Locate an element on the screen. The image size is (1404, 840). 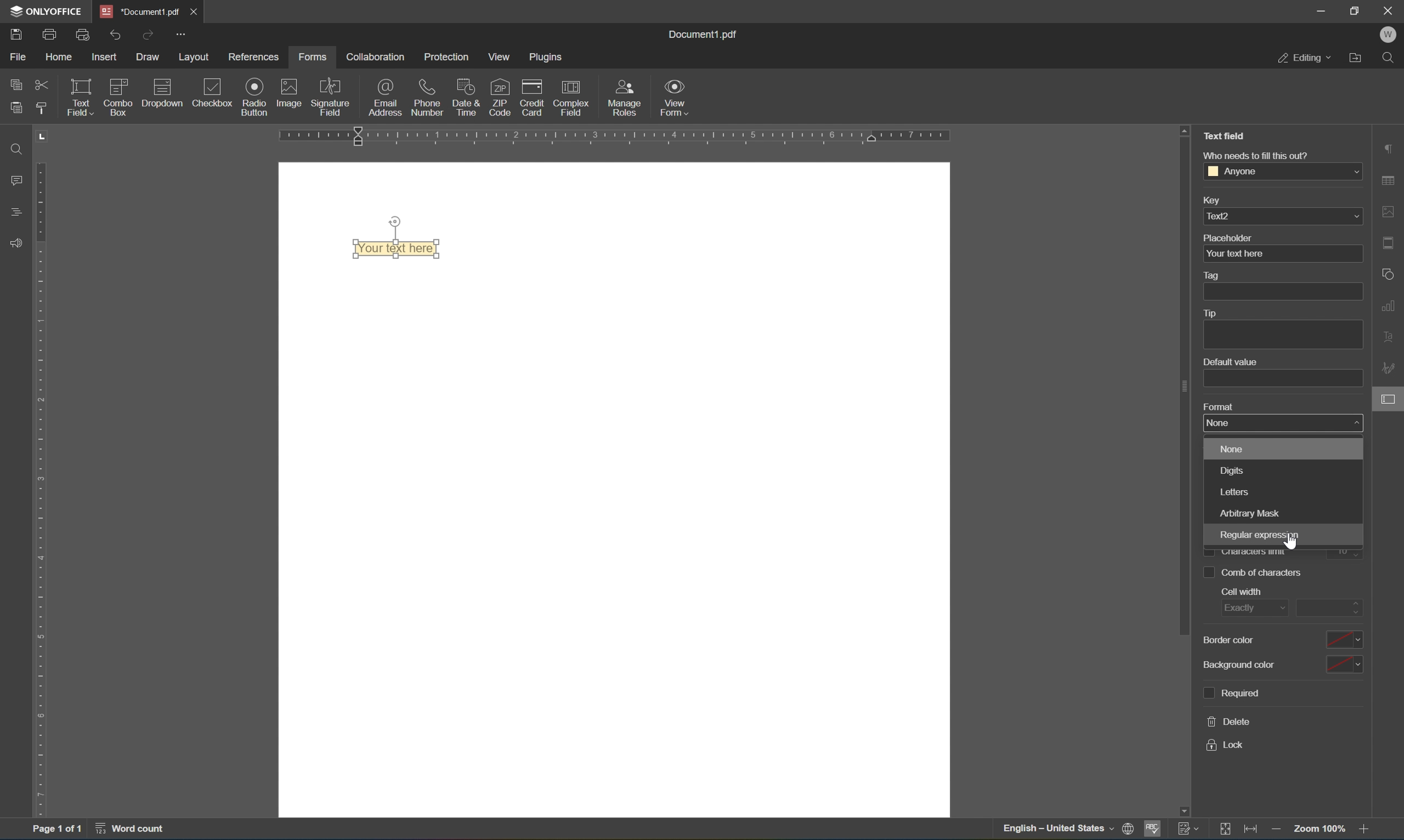
ONLYOFFICE is located at coordinates (48, 11).